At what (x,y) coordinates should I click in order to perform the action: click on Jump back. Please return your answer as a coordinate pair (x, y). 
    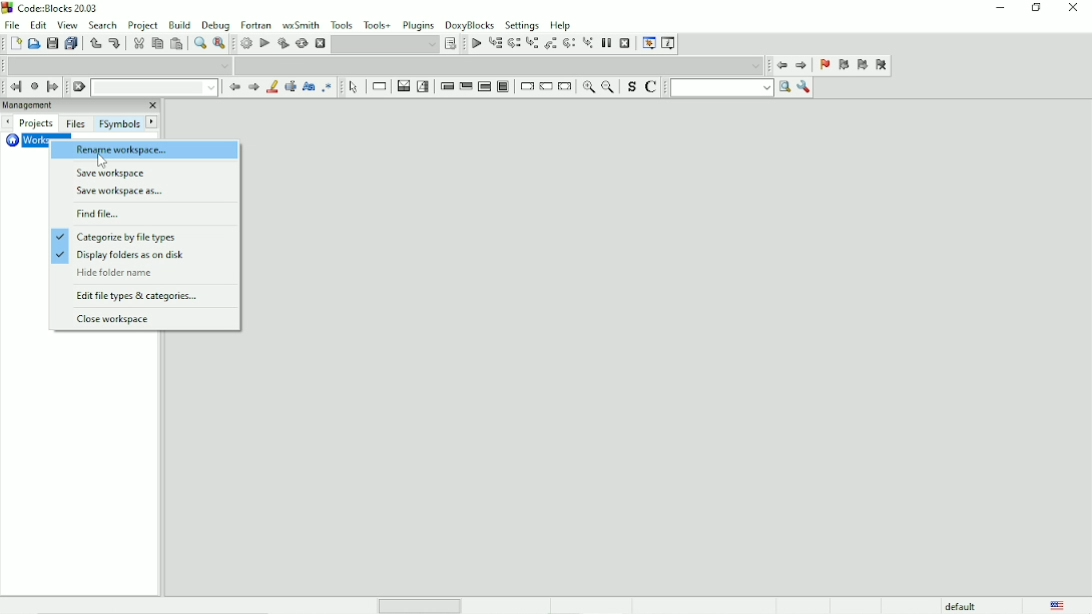
    Looking at the image, I should click on (13, 86).